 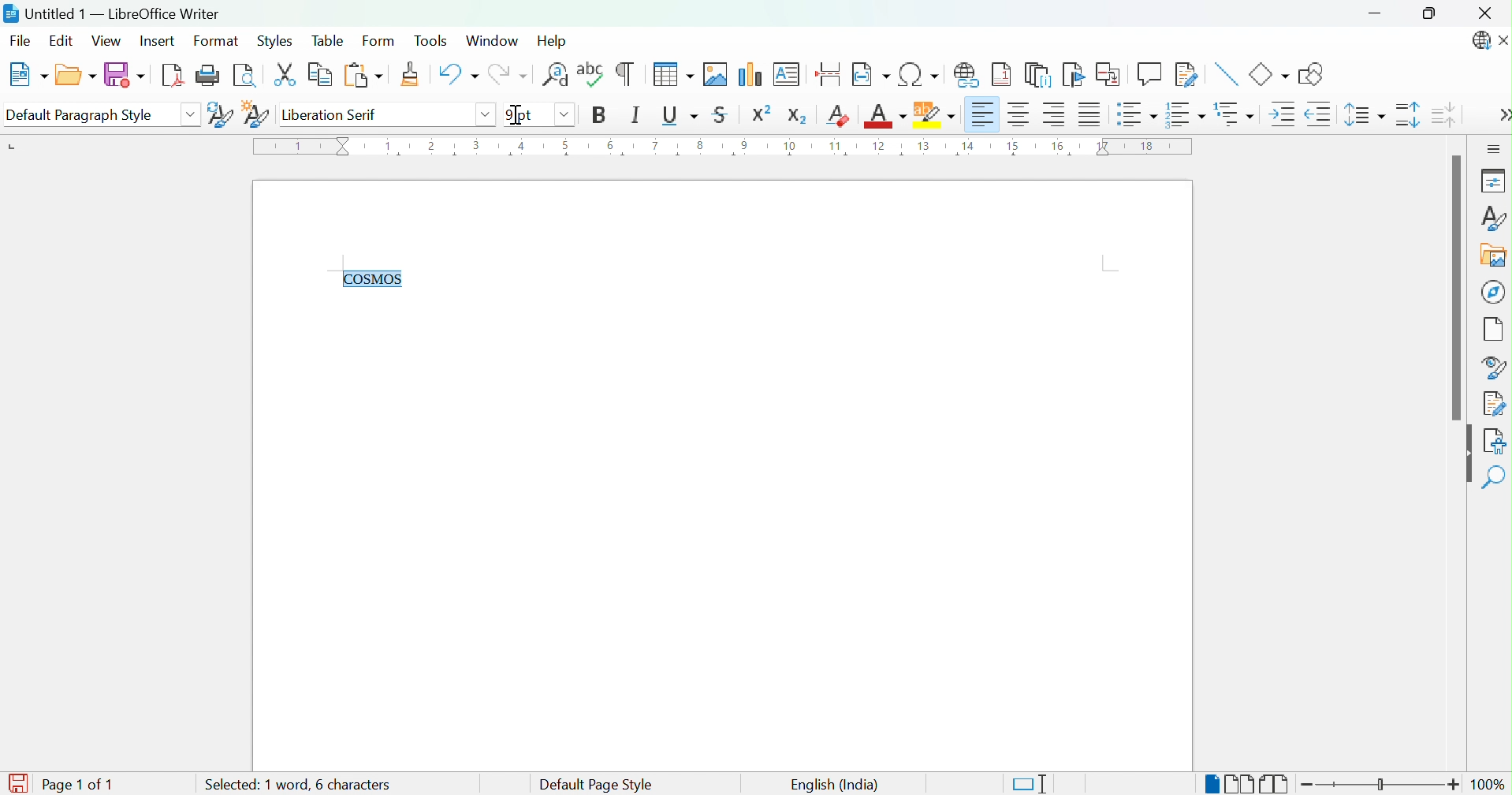 I want to click on Find and Replace, so click(x=556, y=74).